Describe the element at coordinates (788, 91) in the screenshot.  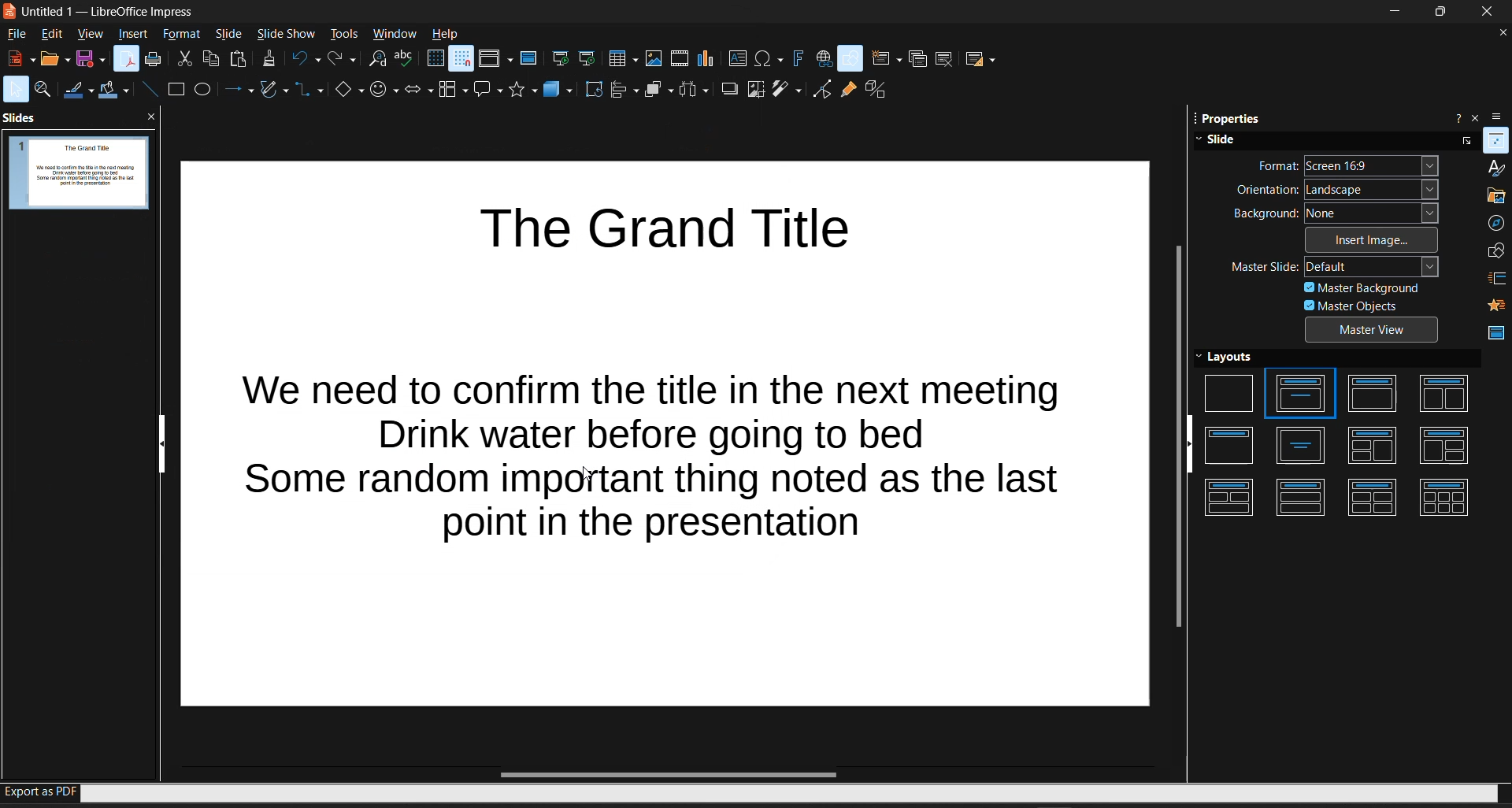
I see `filter` at that location.